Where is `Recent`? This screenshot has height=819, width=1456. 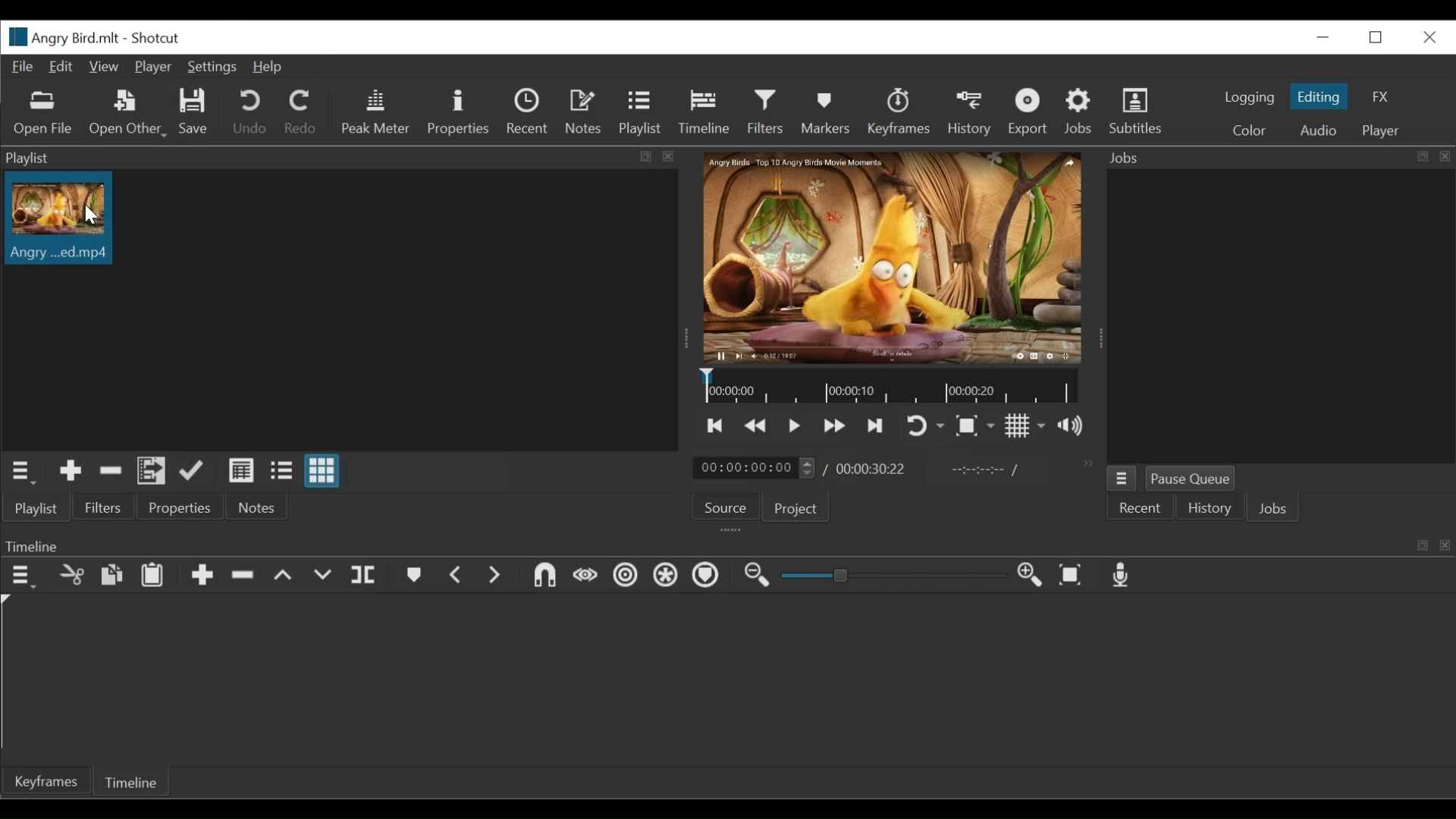
Recent is located at coordinates (1141, 507).